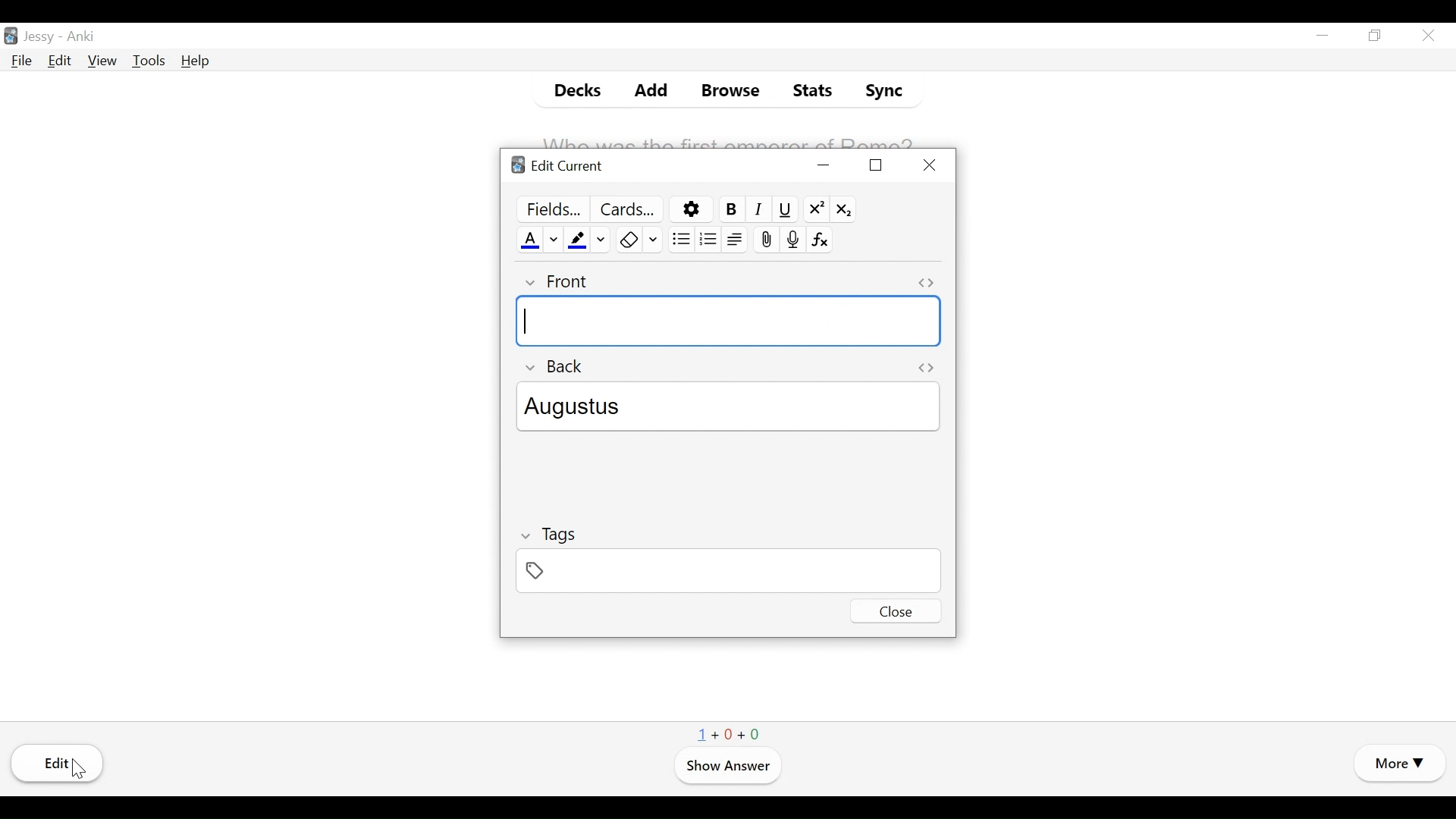  I want to click on Edit, so click(60, 61).